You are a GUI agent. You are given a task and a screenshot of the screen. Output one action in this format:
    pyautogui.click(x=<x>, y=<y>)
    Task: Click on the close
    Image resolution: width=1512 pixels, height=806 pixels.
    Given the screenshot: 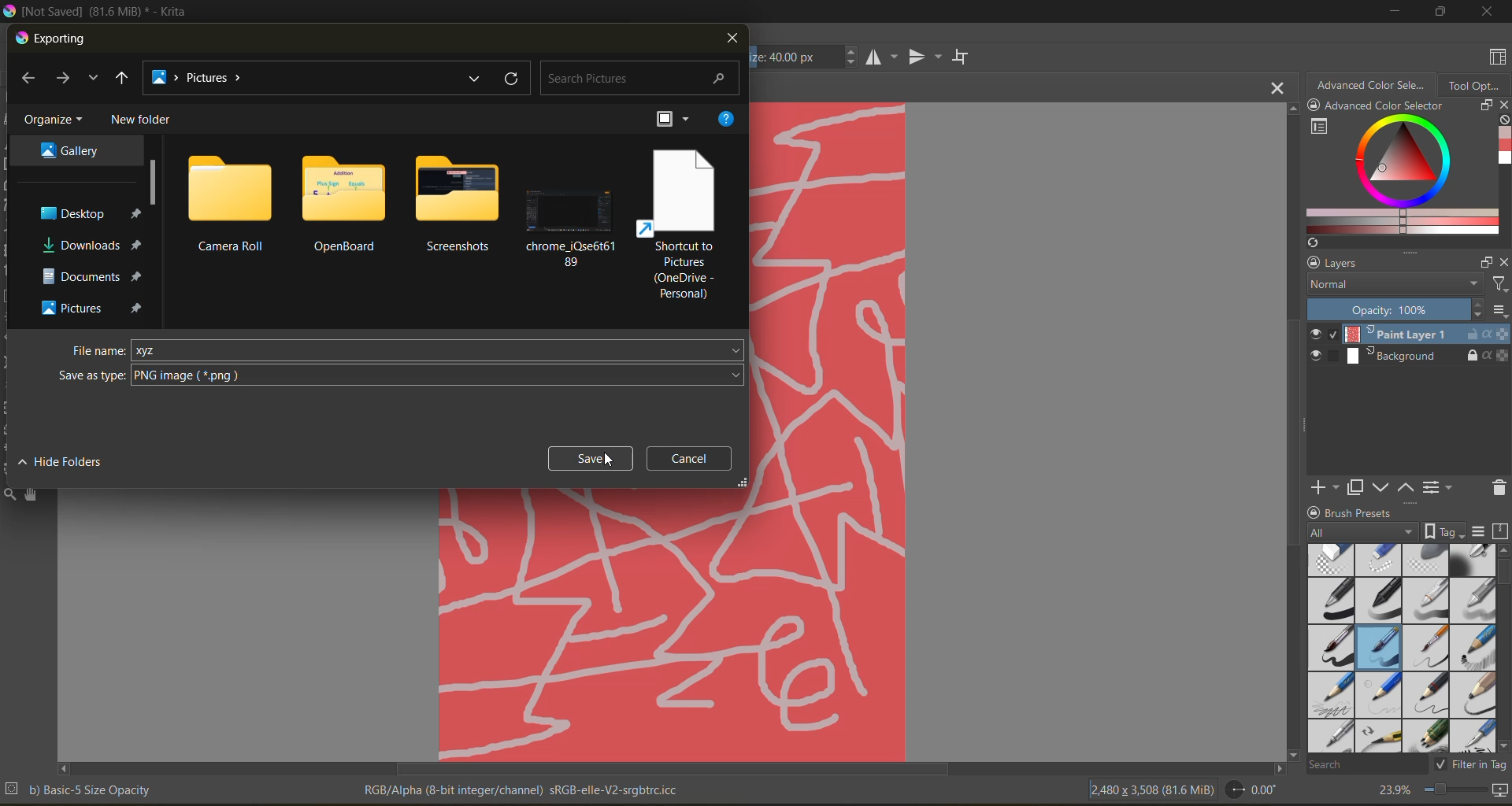 What is the action you would take?
    pyautogui.click(x=1503, y=262)
    